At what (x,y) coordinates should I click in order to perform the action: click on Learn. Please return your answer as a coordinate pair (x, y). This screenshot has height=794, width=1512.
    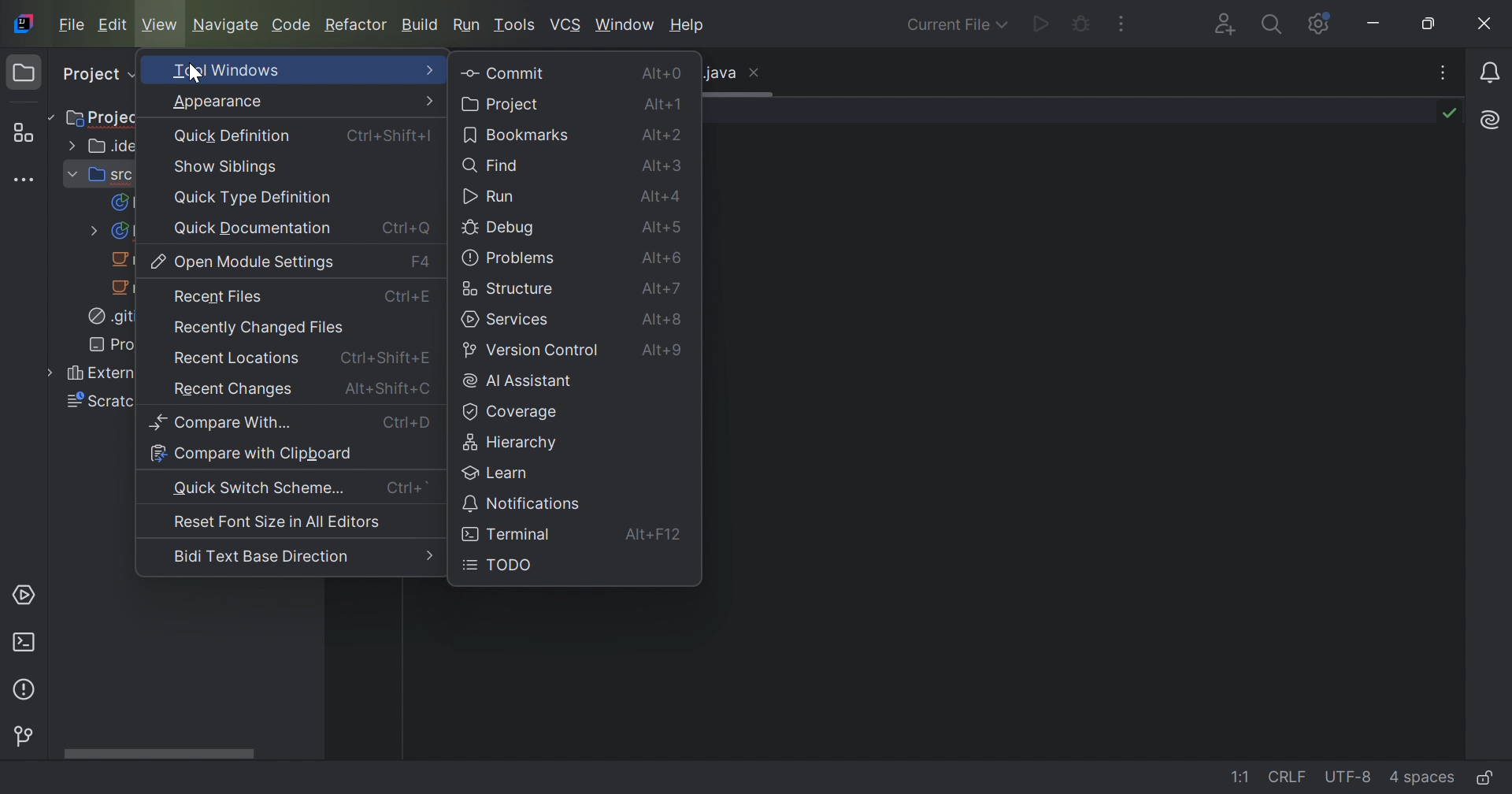
    Looking at the image, I should click on (499, 473).